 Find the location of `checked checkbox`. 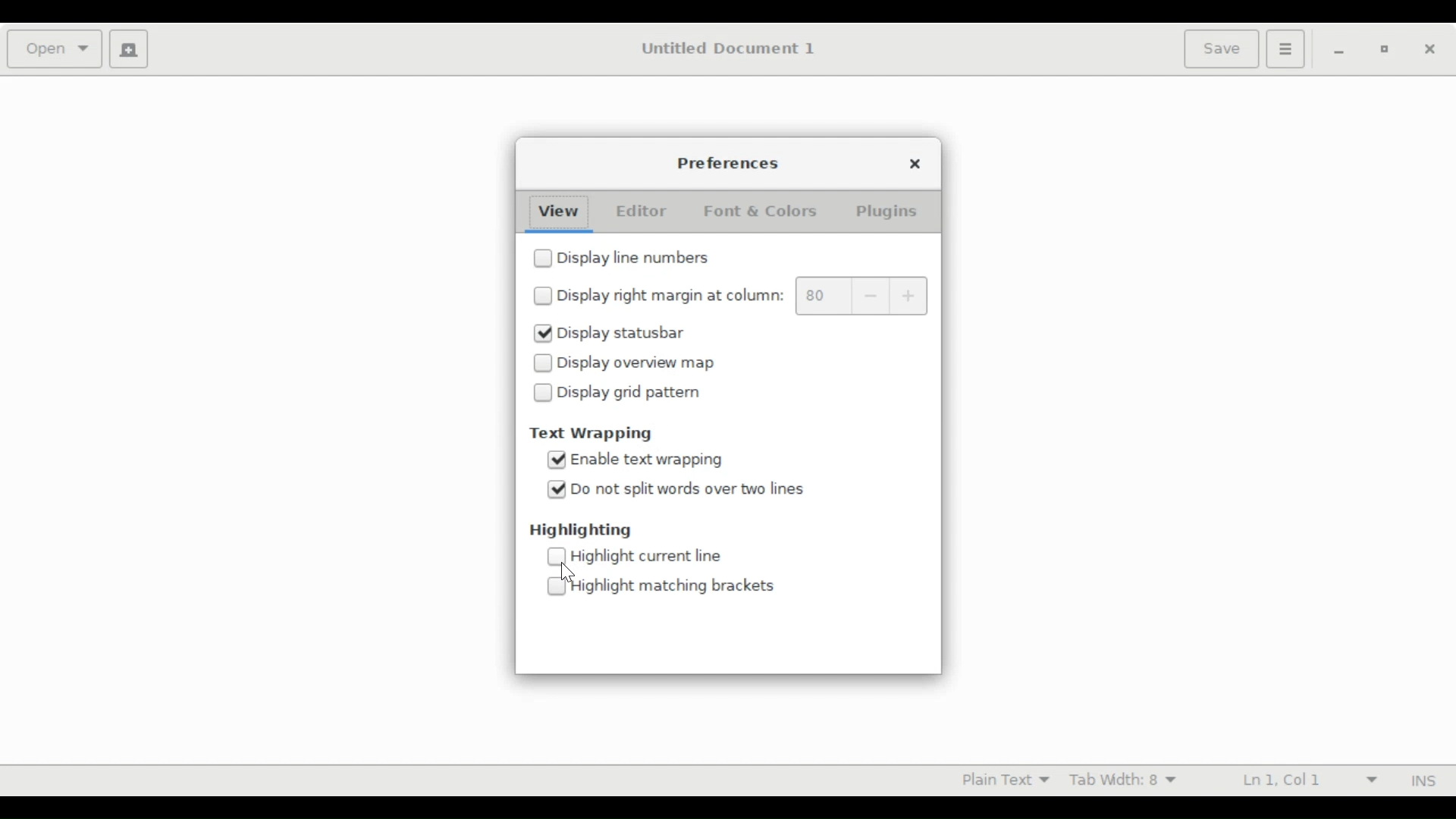

checked checkbox is located at coordinates (543, 334).